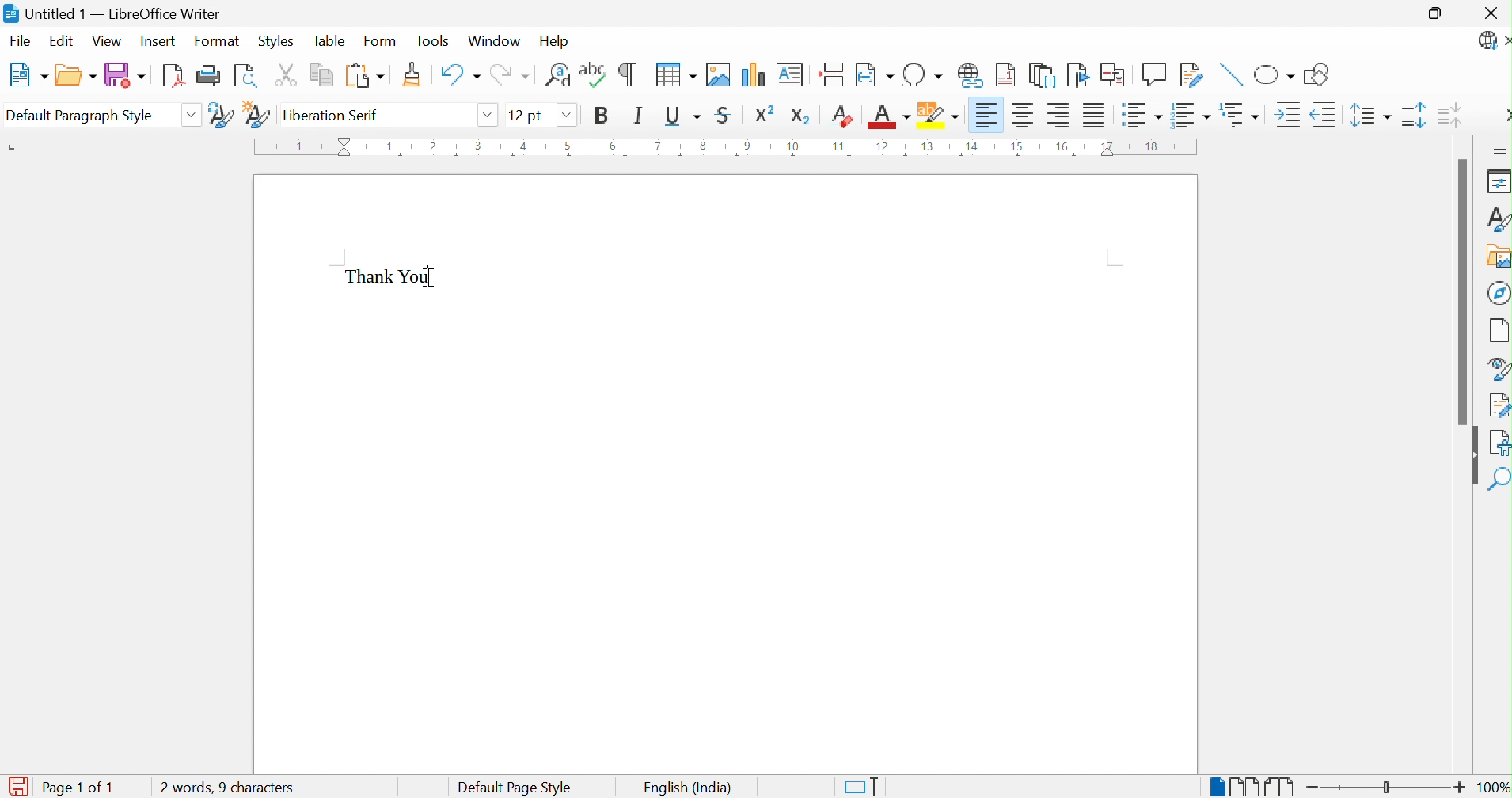  What do you see at coordinates (1471, 456) in the screenshot?
I see `Hide` at bounding box center [1471, 456].